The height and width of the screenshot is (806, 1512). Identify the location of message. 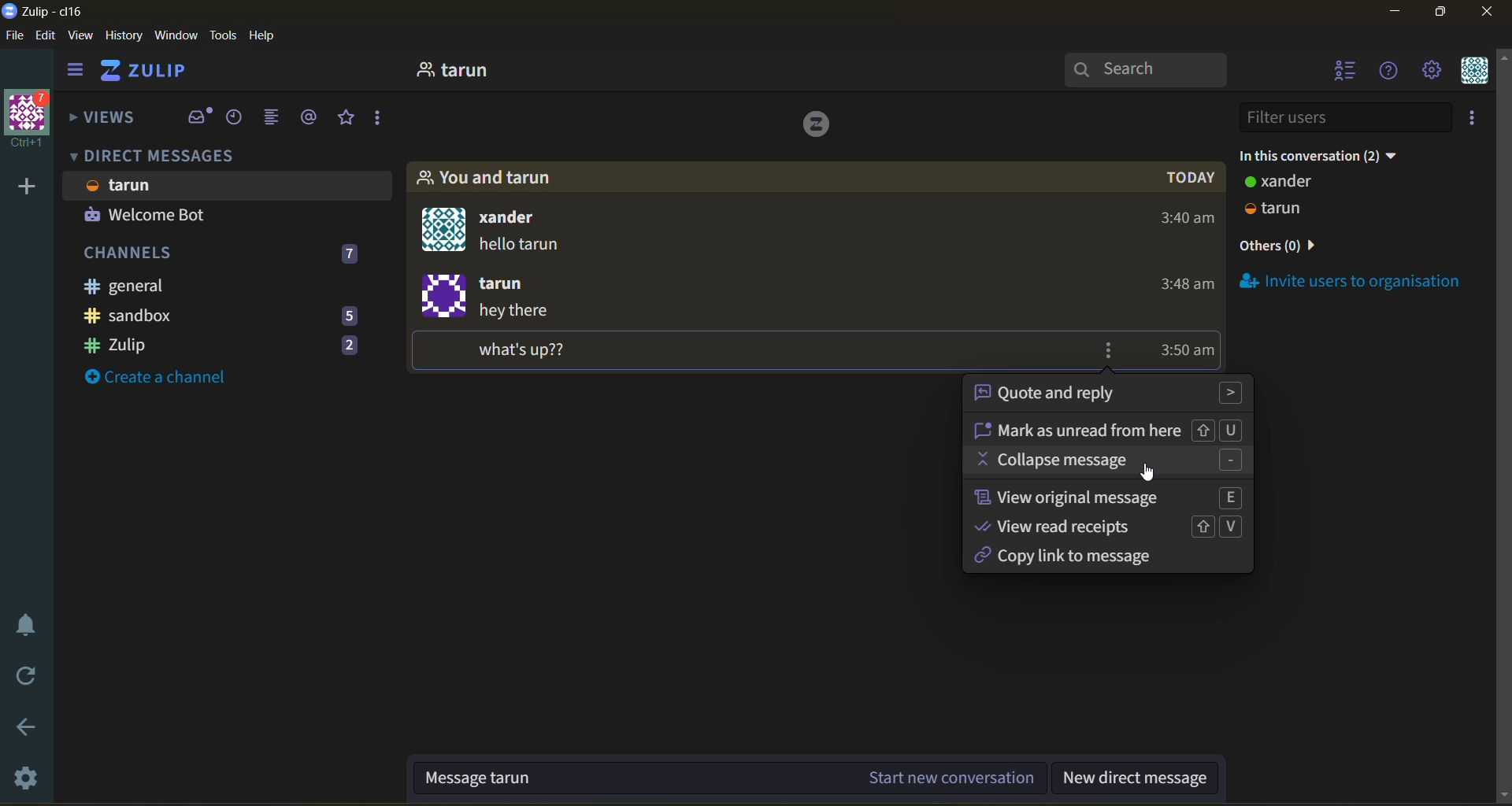
(537, 331).